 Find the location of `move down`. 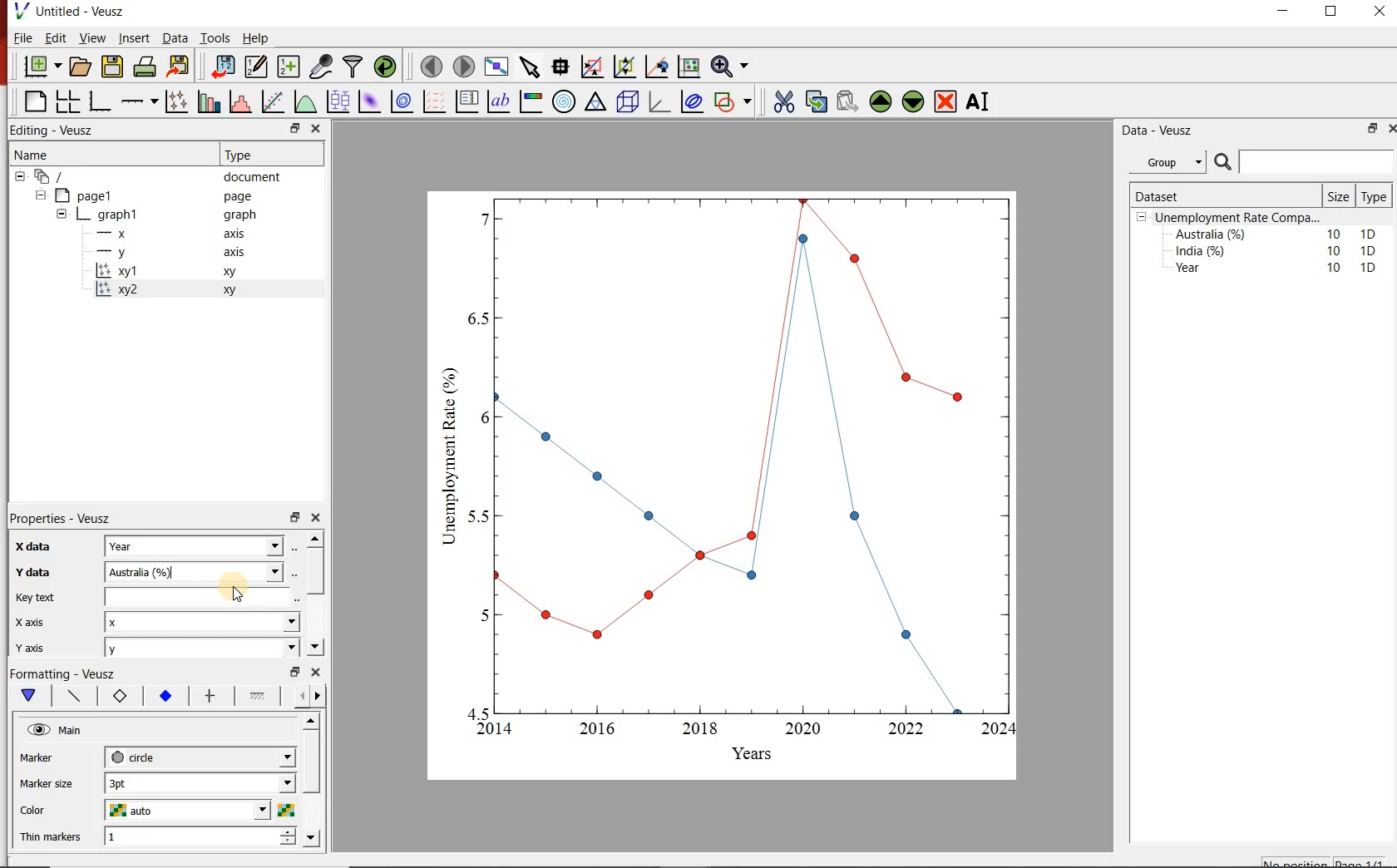

move down is located at coordinates (311, 838).